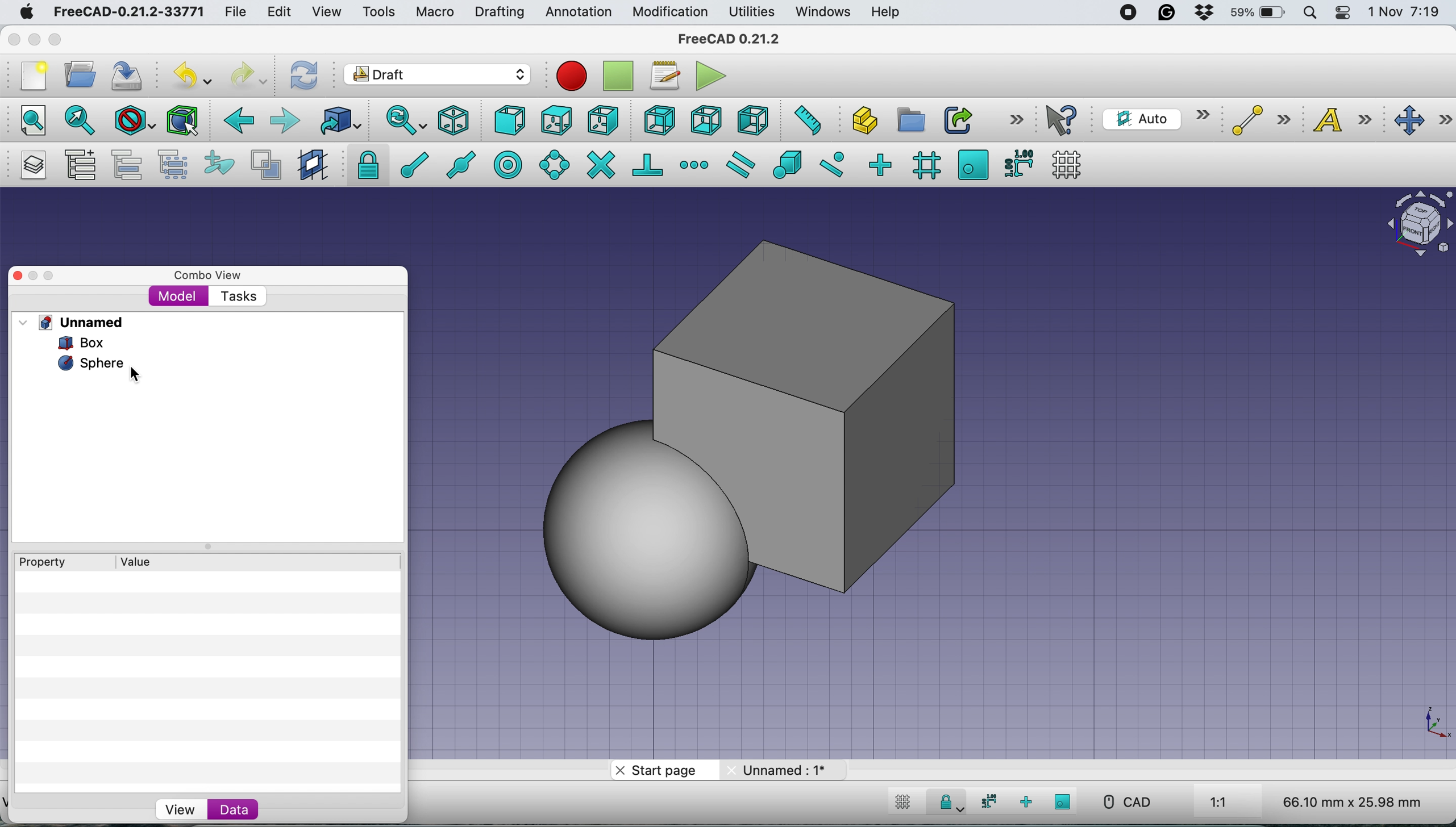  Describe the element at coordinates (15, 275) in the screenshot. I see `close` at that location.